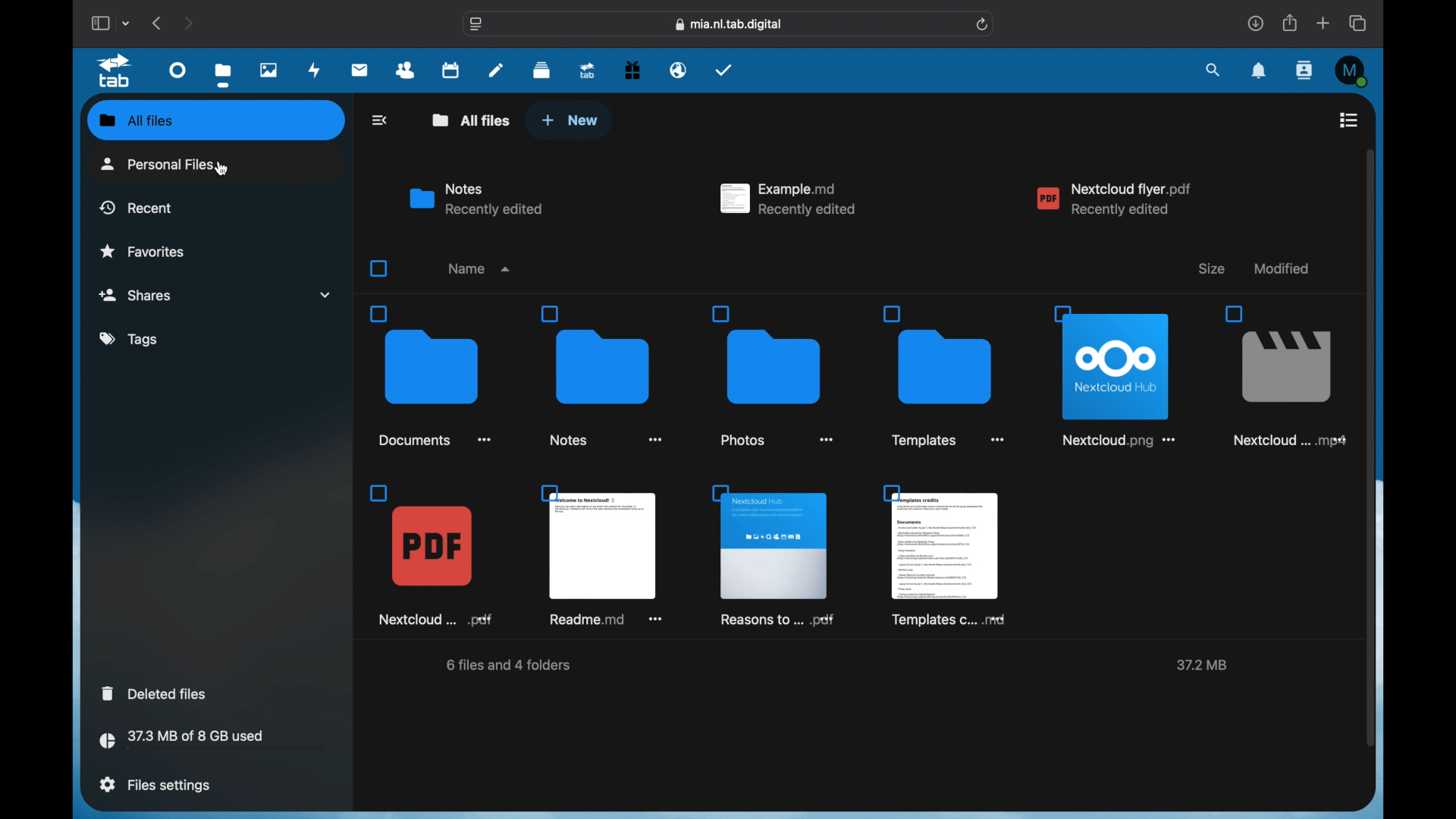  Describe the element at coordinates (270, 70) in the screenshot. I see `photos` at that location.